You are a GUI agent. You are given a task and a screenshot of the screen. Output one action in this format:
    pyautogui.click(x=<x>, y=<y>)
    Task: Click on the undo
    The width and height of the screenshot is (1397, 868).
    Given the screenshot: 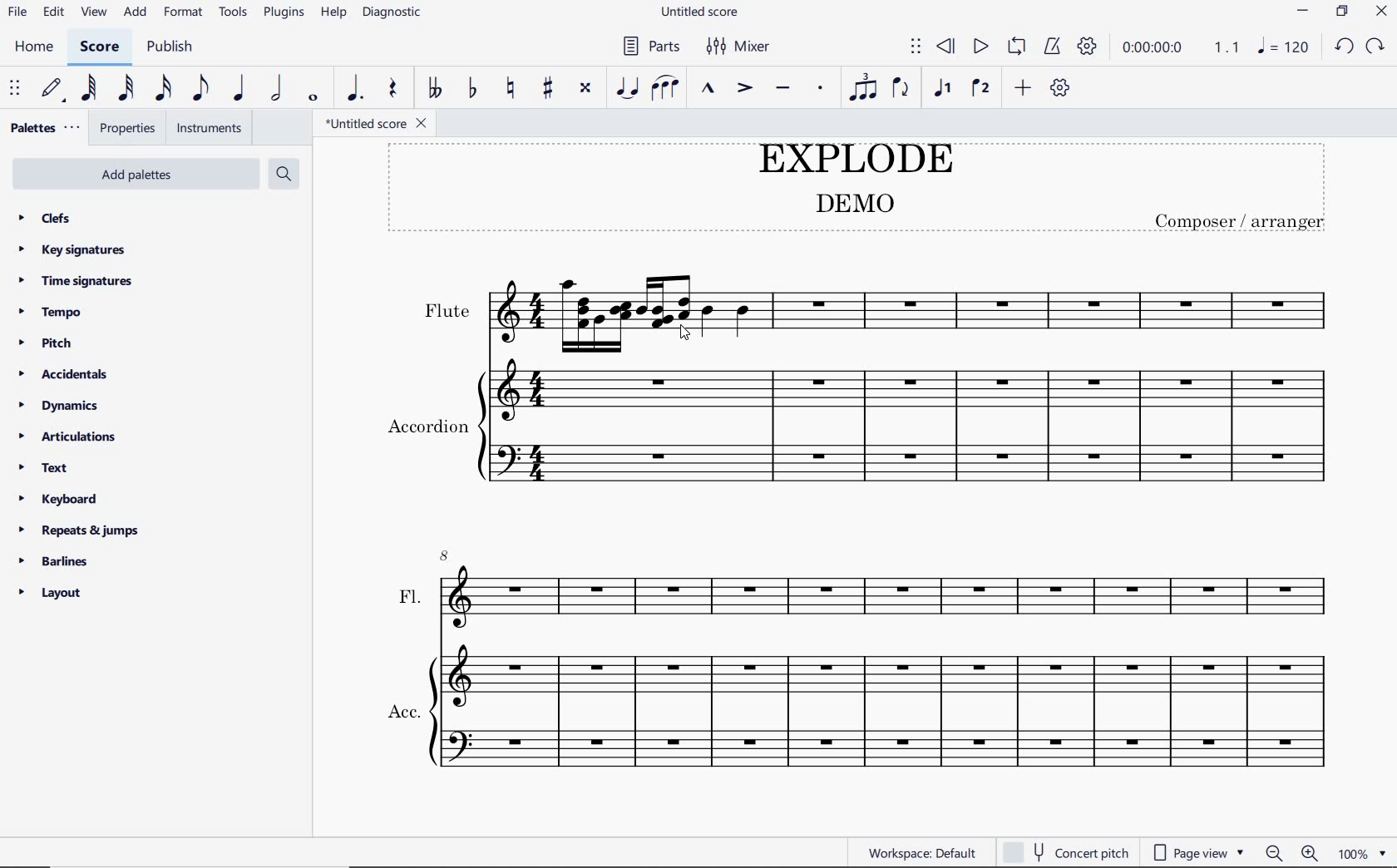 What is the action you would take?
    pyautogui.click(x=1377, y=45)
    